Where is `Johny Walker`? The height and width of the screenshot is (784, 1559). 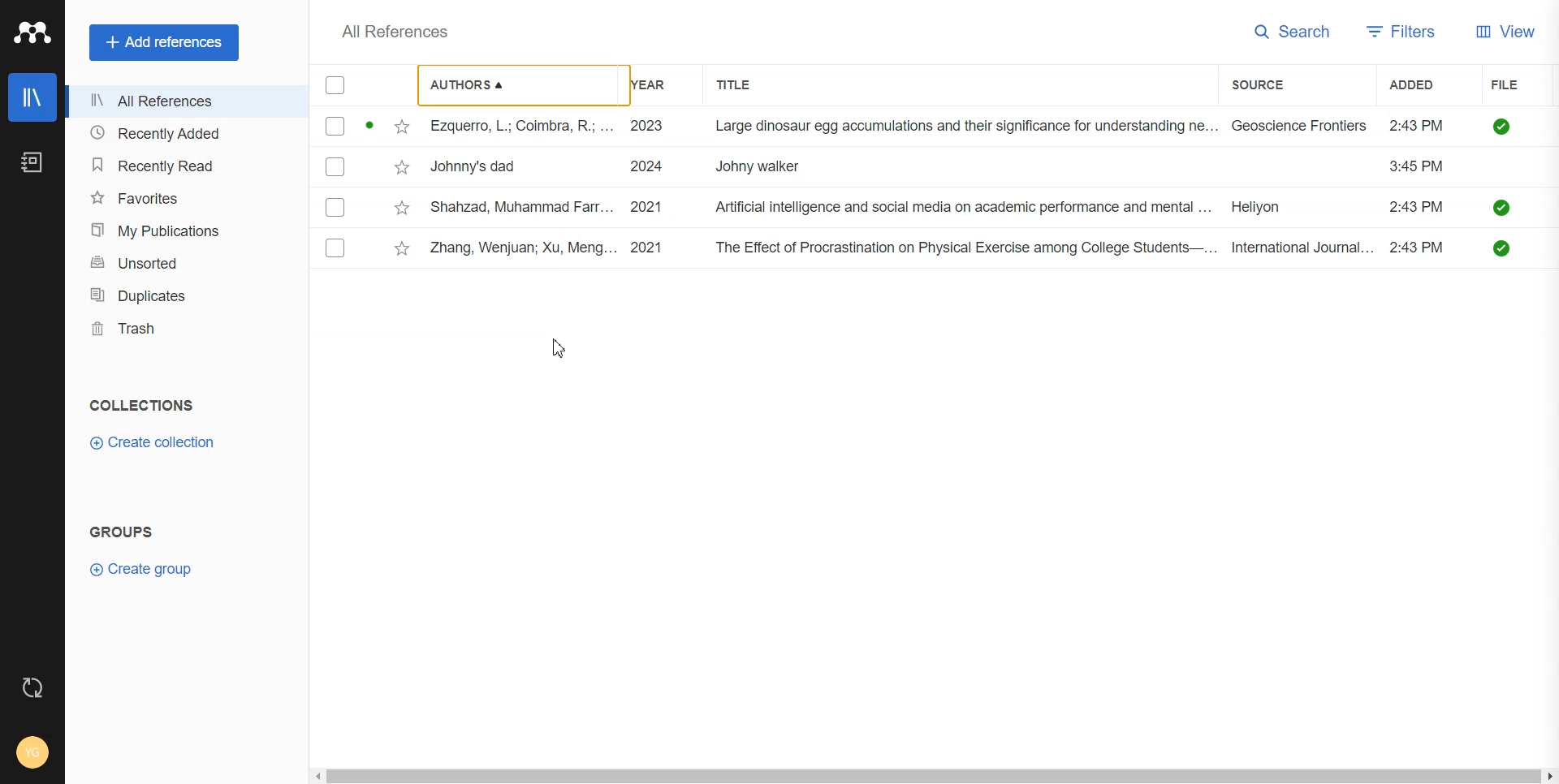 Johny Walker is located at coordinates (767, 167).